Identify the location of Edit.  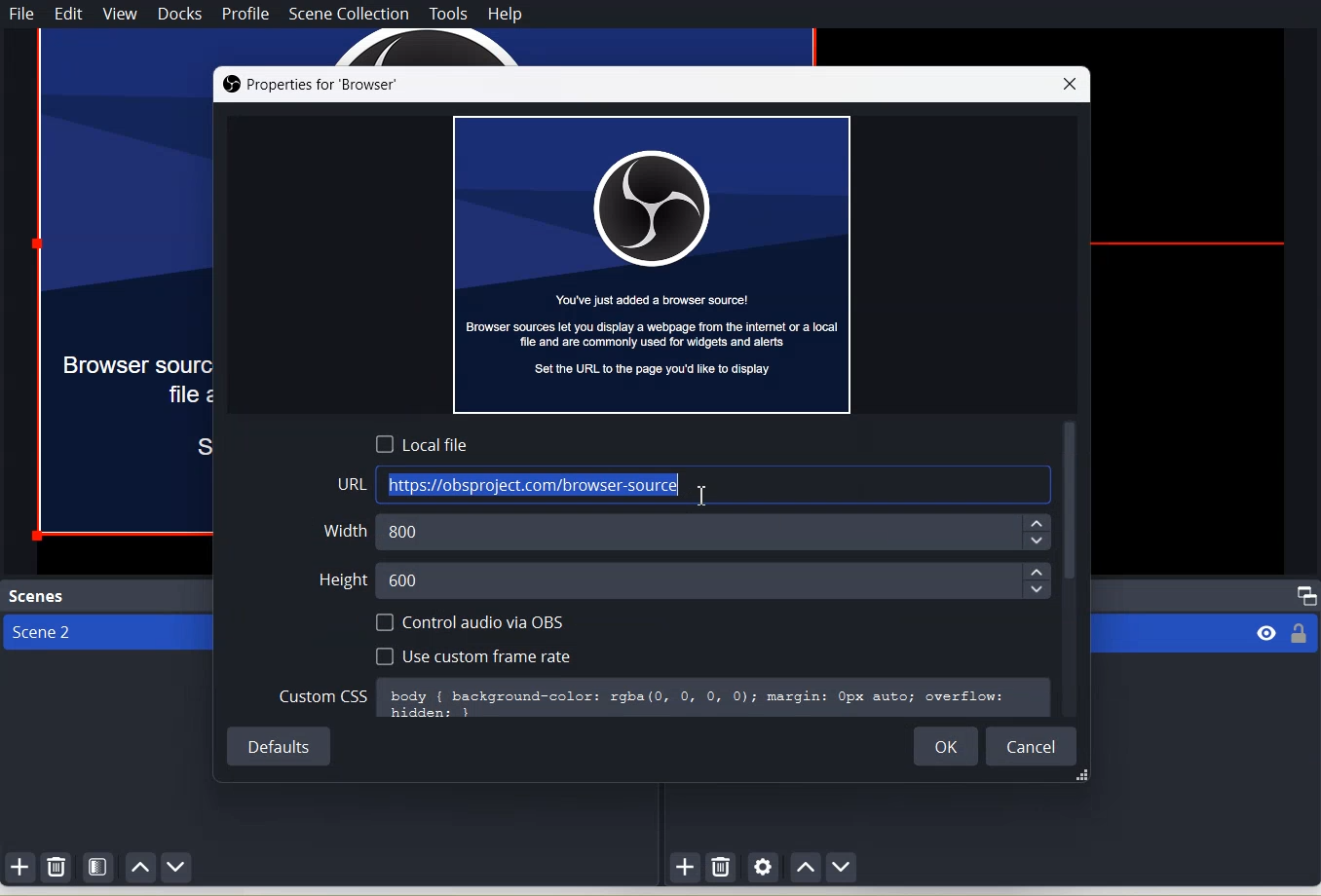
(70, 14).